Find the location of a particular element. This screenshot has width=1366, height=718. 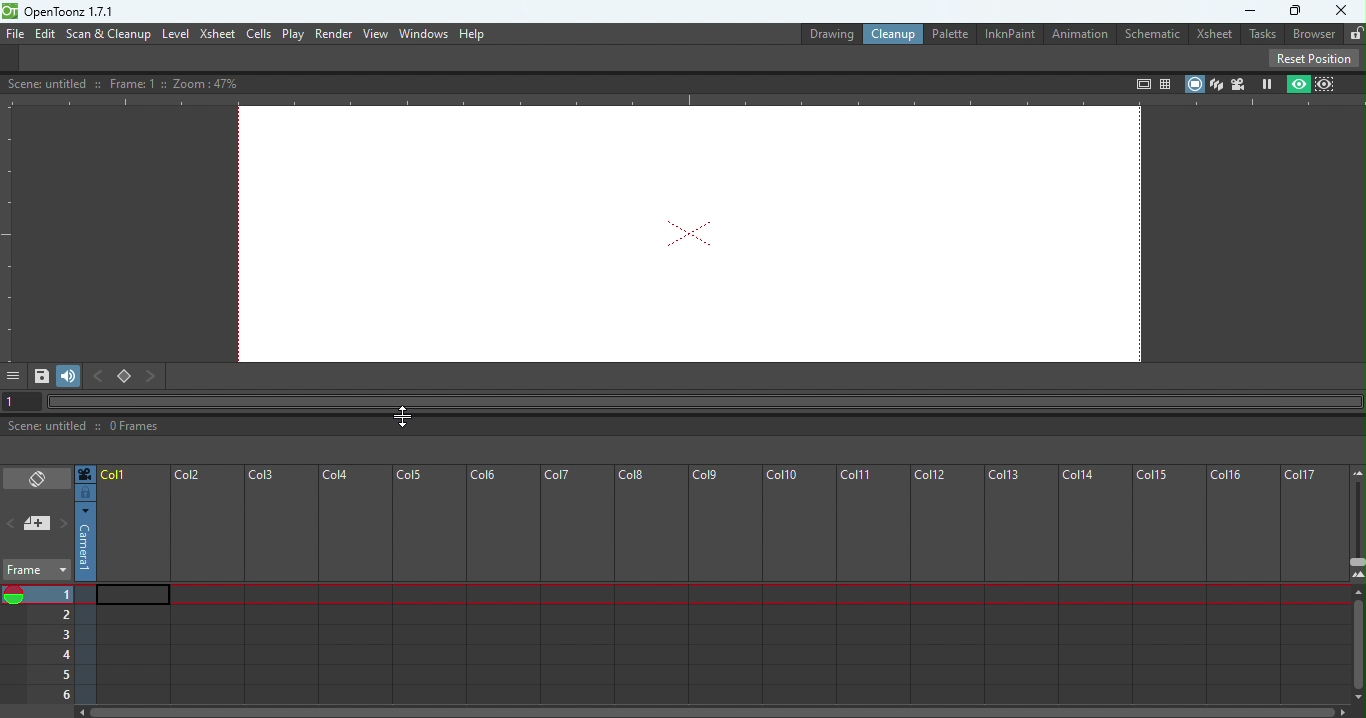

Lock rooms tab is located at coordinates (1352, 32).